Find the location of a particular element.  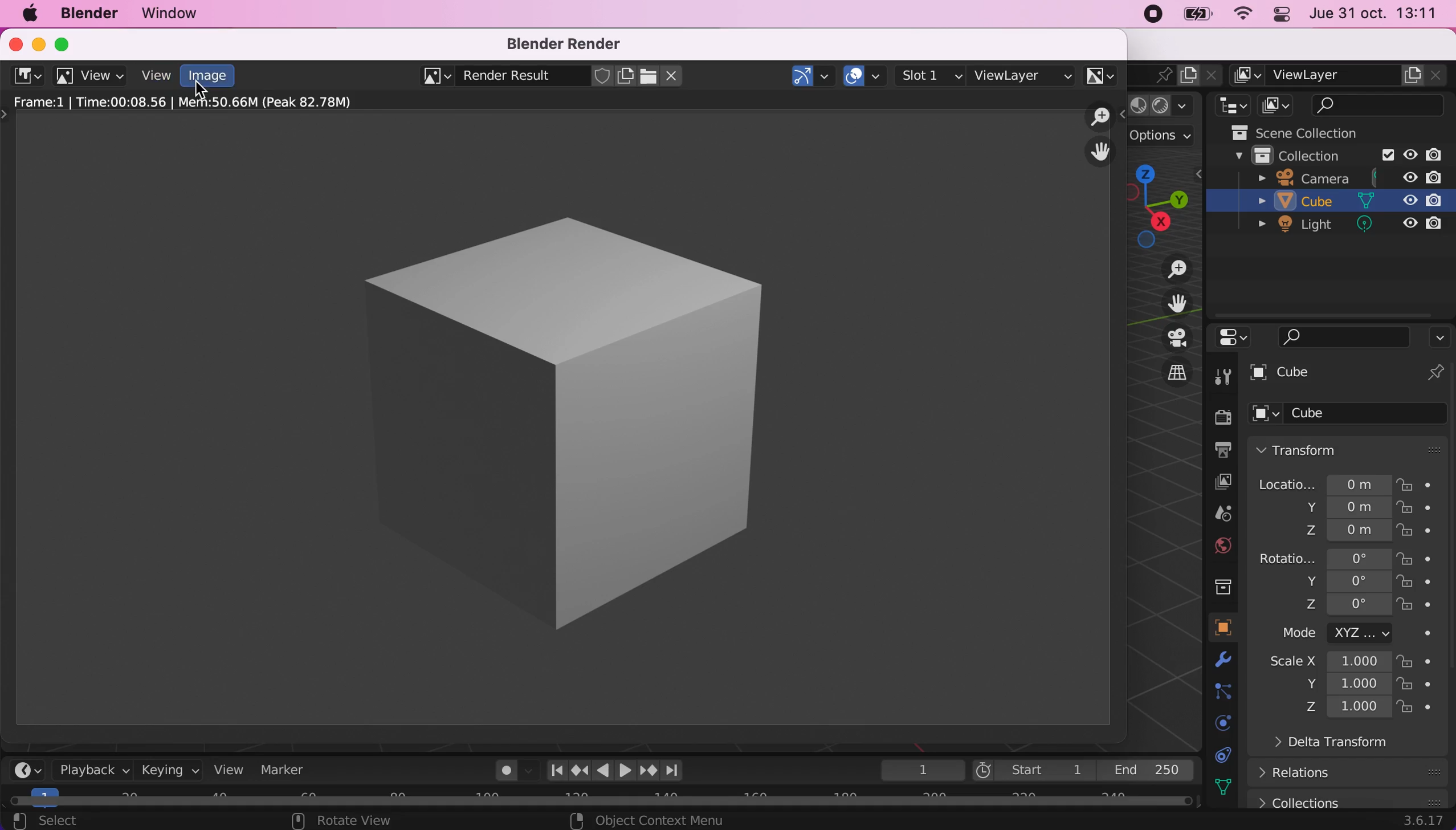

transform  is located at coordinates (1352, 449).